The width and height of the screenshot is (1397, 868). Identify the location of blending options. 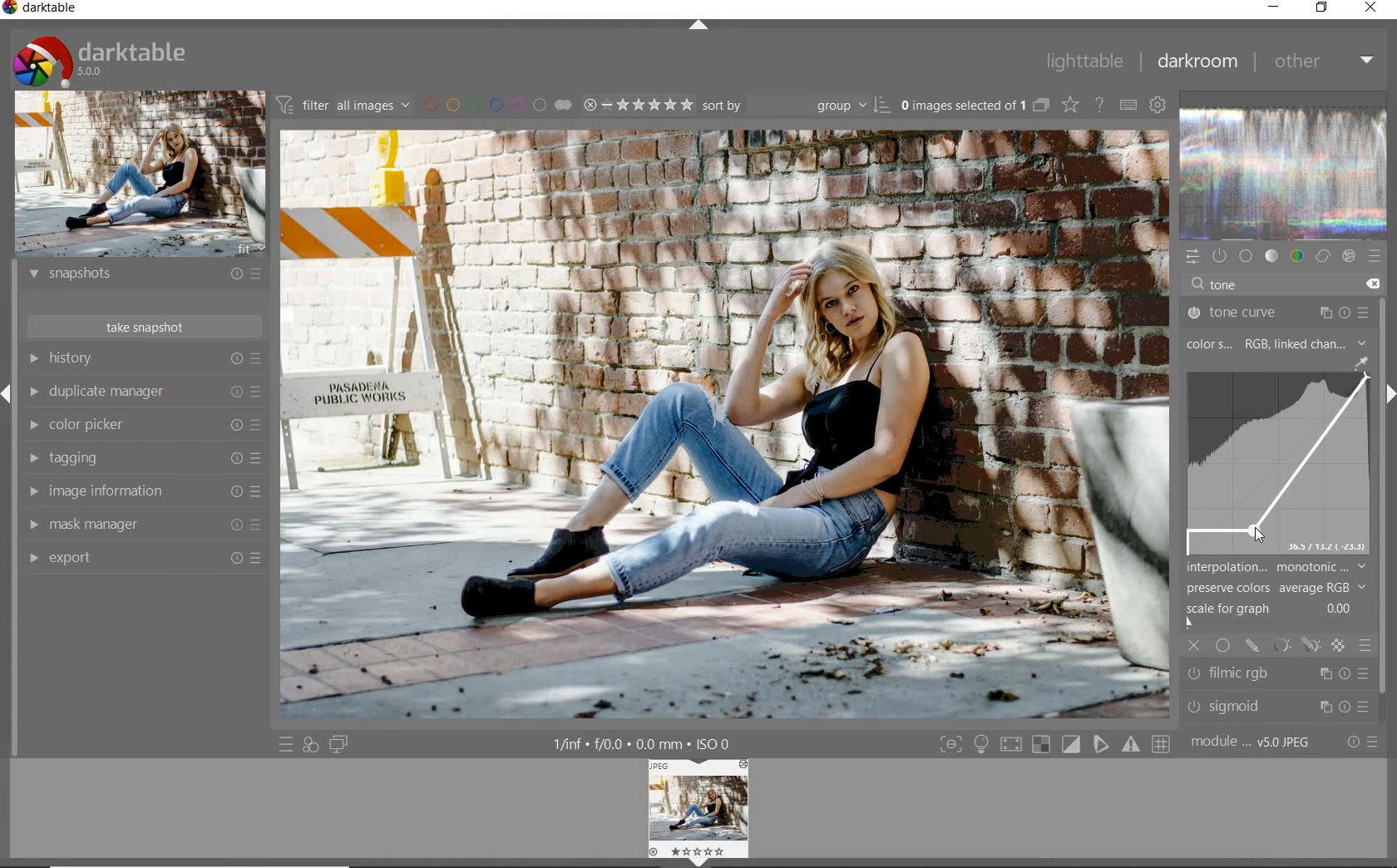
(1366, 648).